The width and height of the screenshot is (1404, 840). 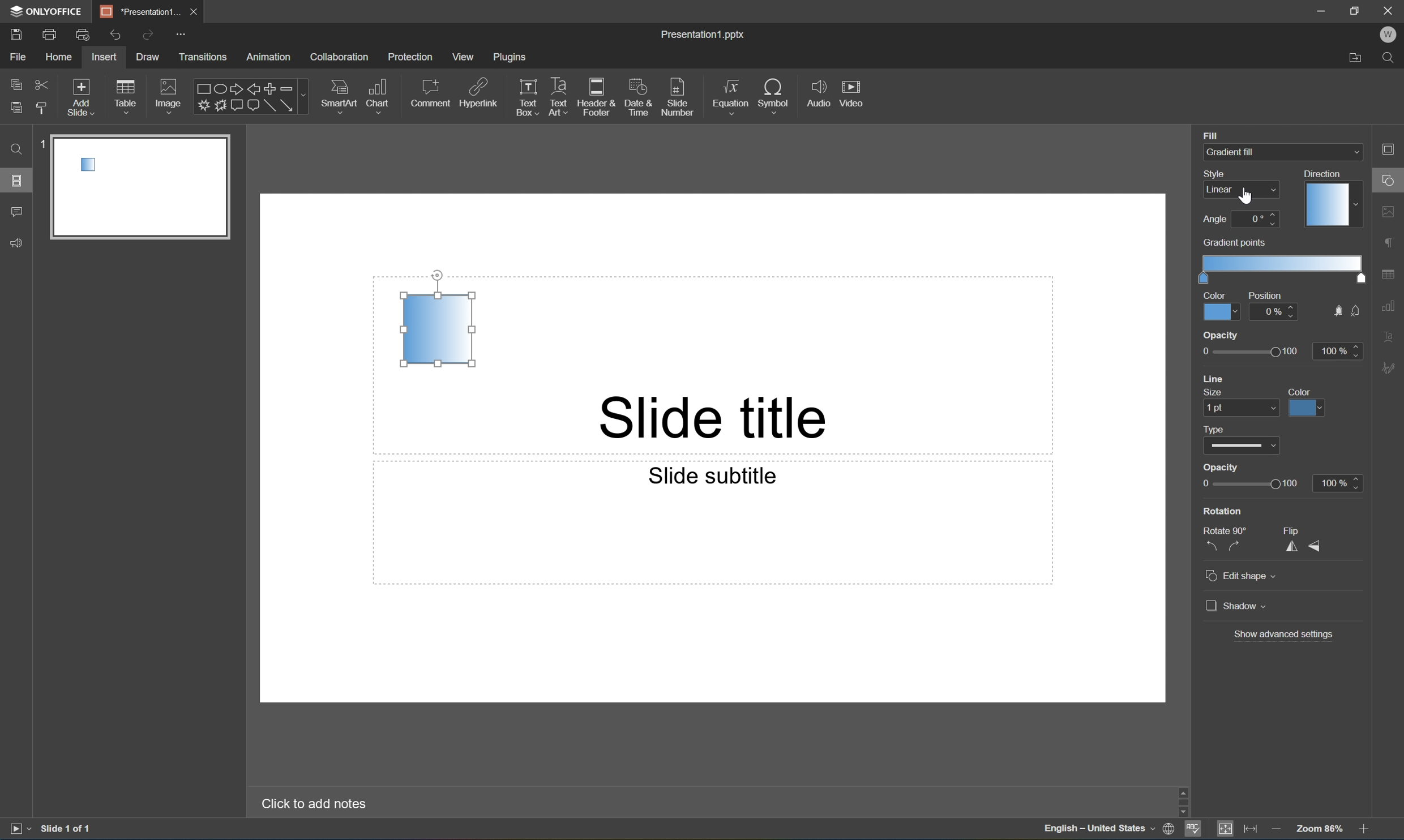 I want to click on , so click(x=236, y=104).